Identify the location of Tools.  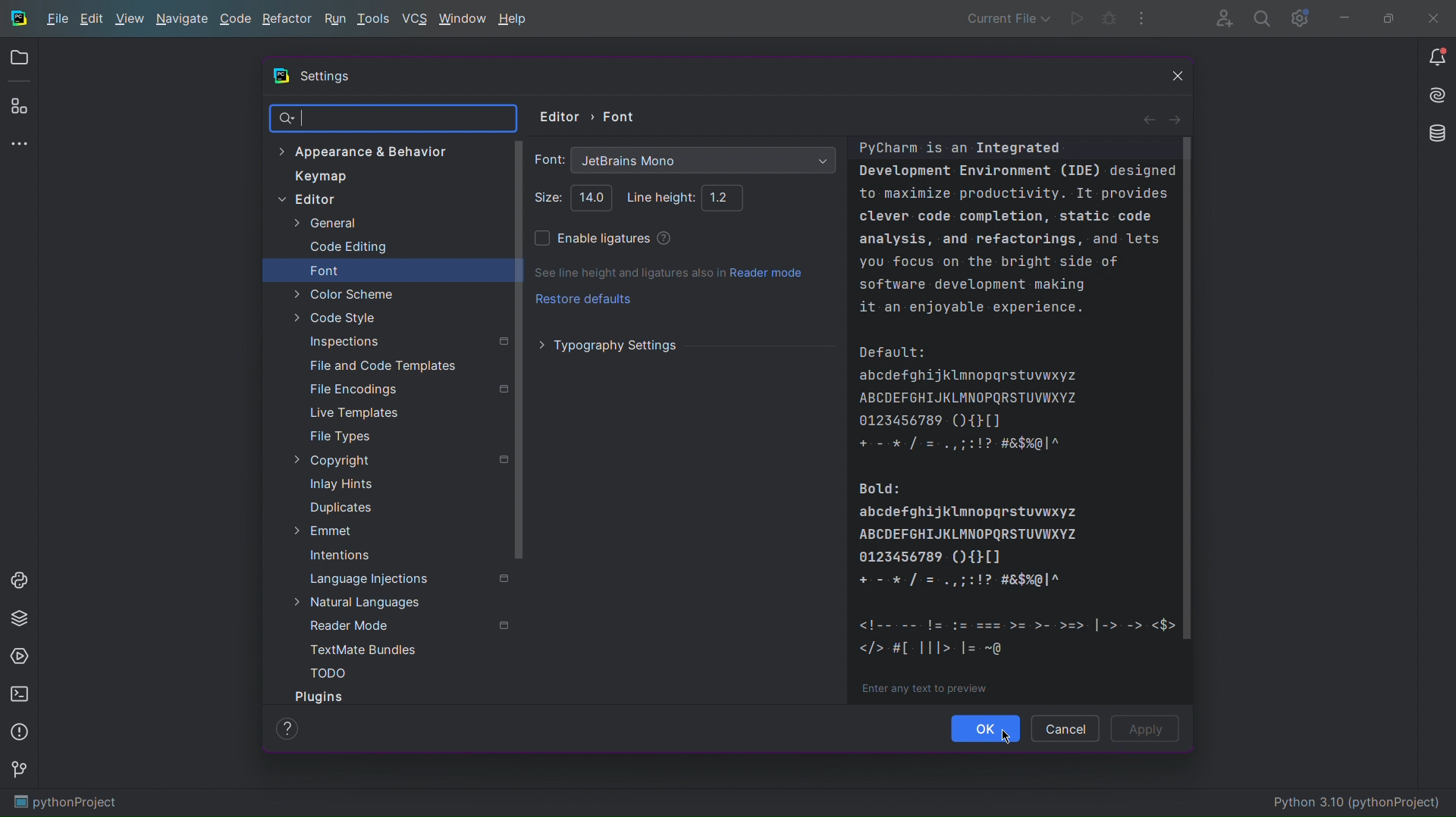
(372, 20).